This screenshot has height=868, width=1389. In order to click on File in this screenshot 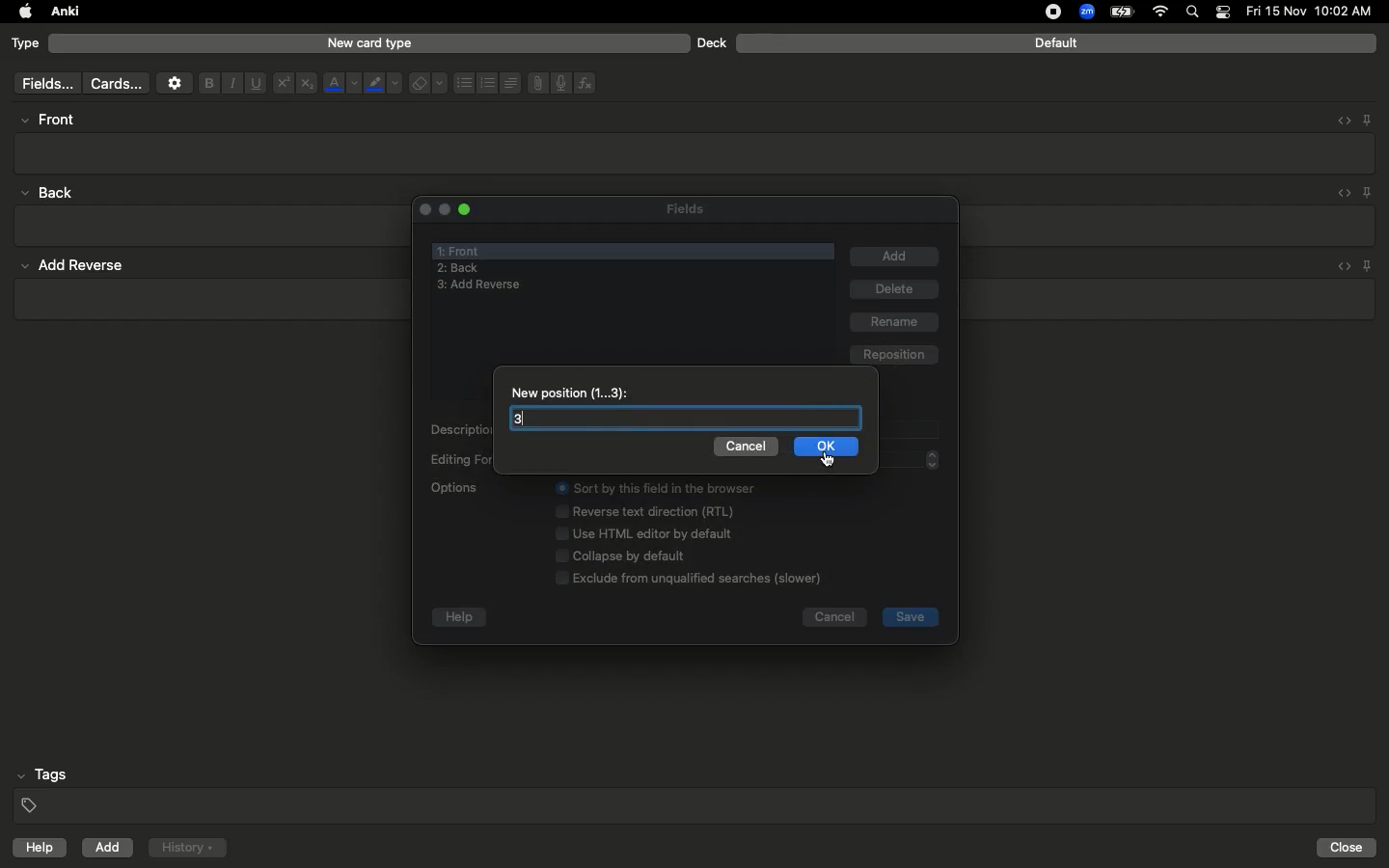, I will do `click(534, 83)`.